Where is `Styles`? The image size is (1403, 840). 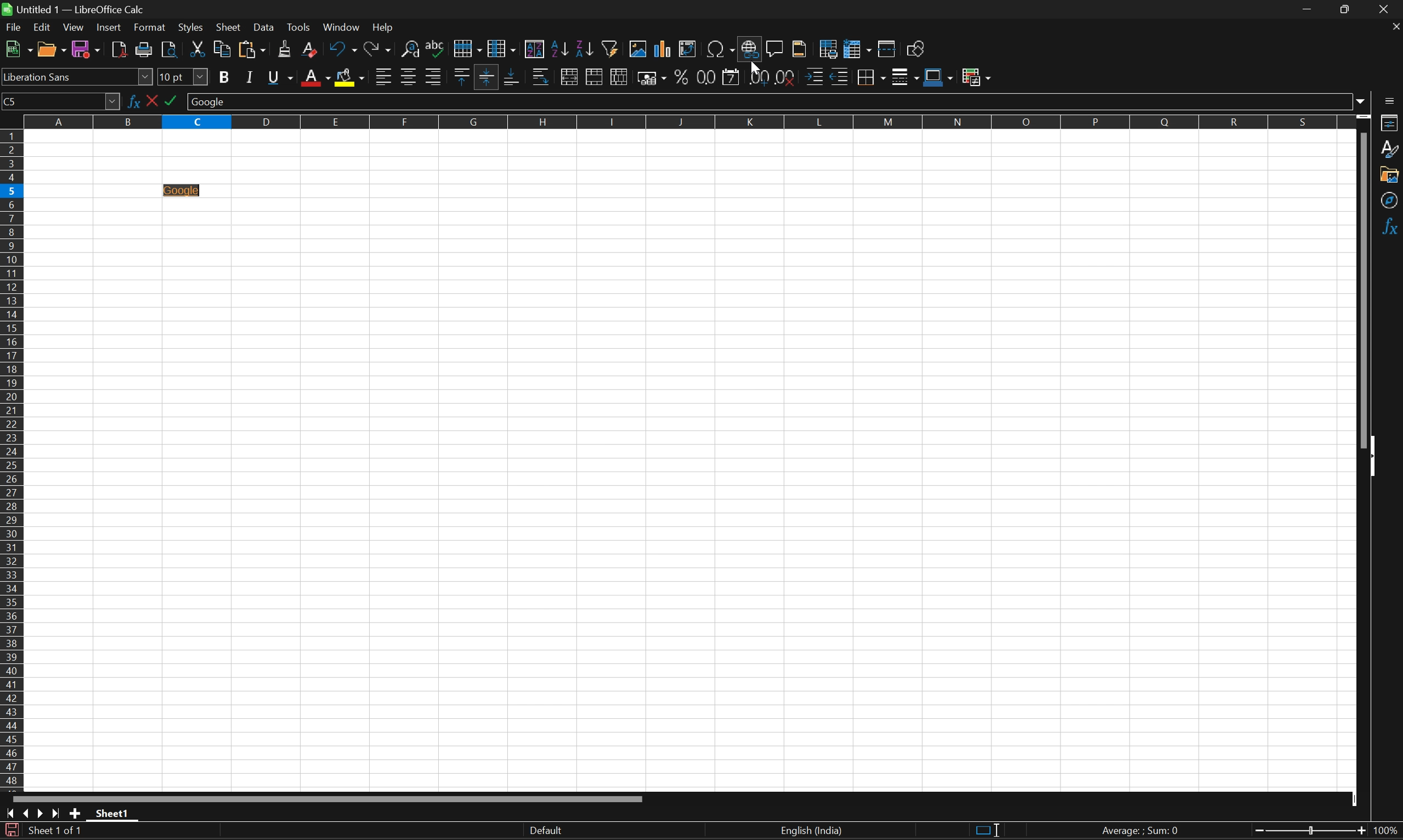 Styles is located at coordinates (191, 29).